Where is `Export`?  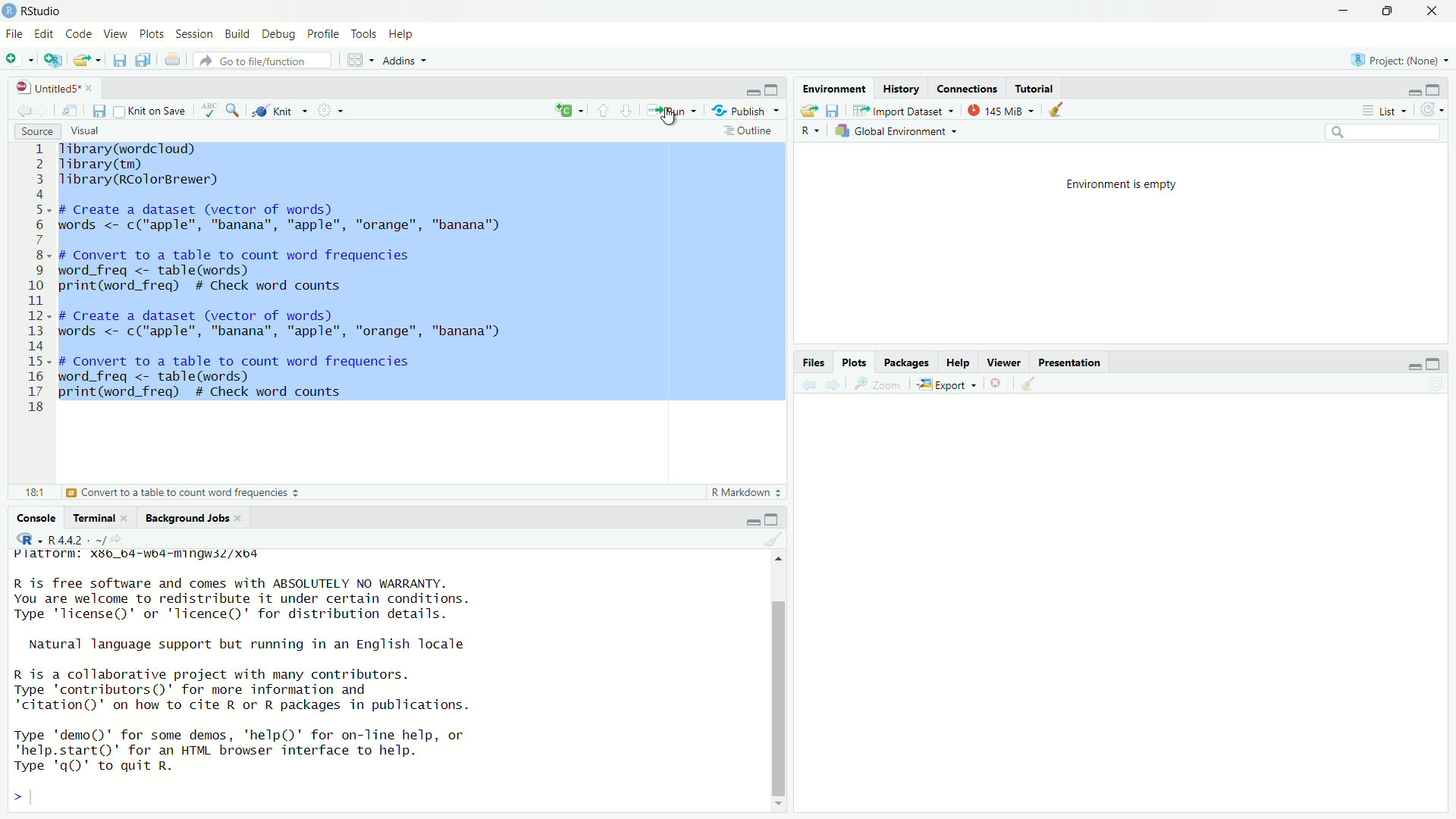
Export is located at coordinates (949, 384).